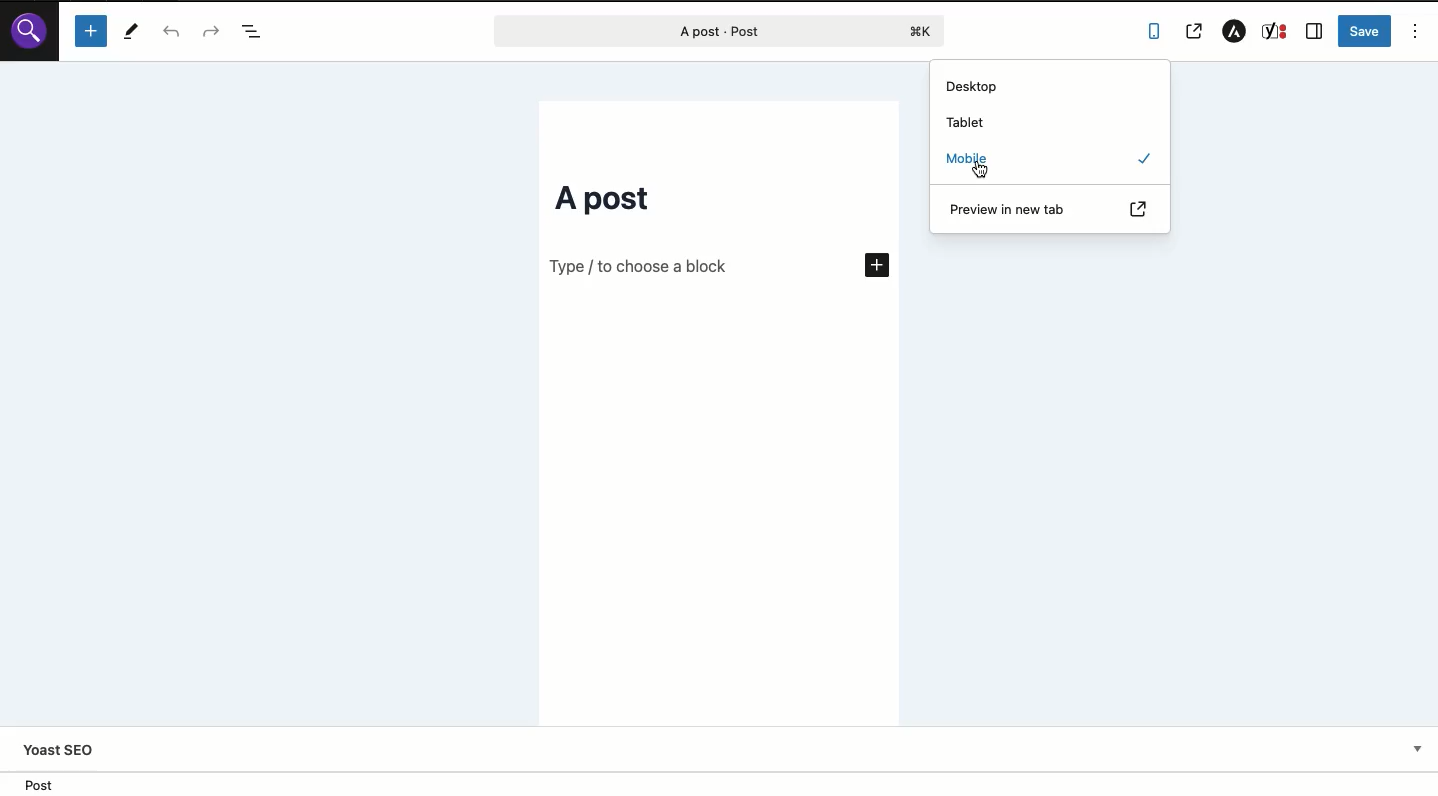 Image resolution: width=1438 pixels, height=796 pixels. What do you see at coordinates (967, 123) in the screenshot?
I see `Tablet` at bounding box center [967, 123].